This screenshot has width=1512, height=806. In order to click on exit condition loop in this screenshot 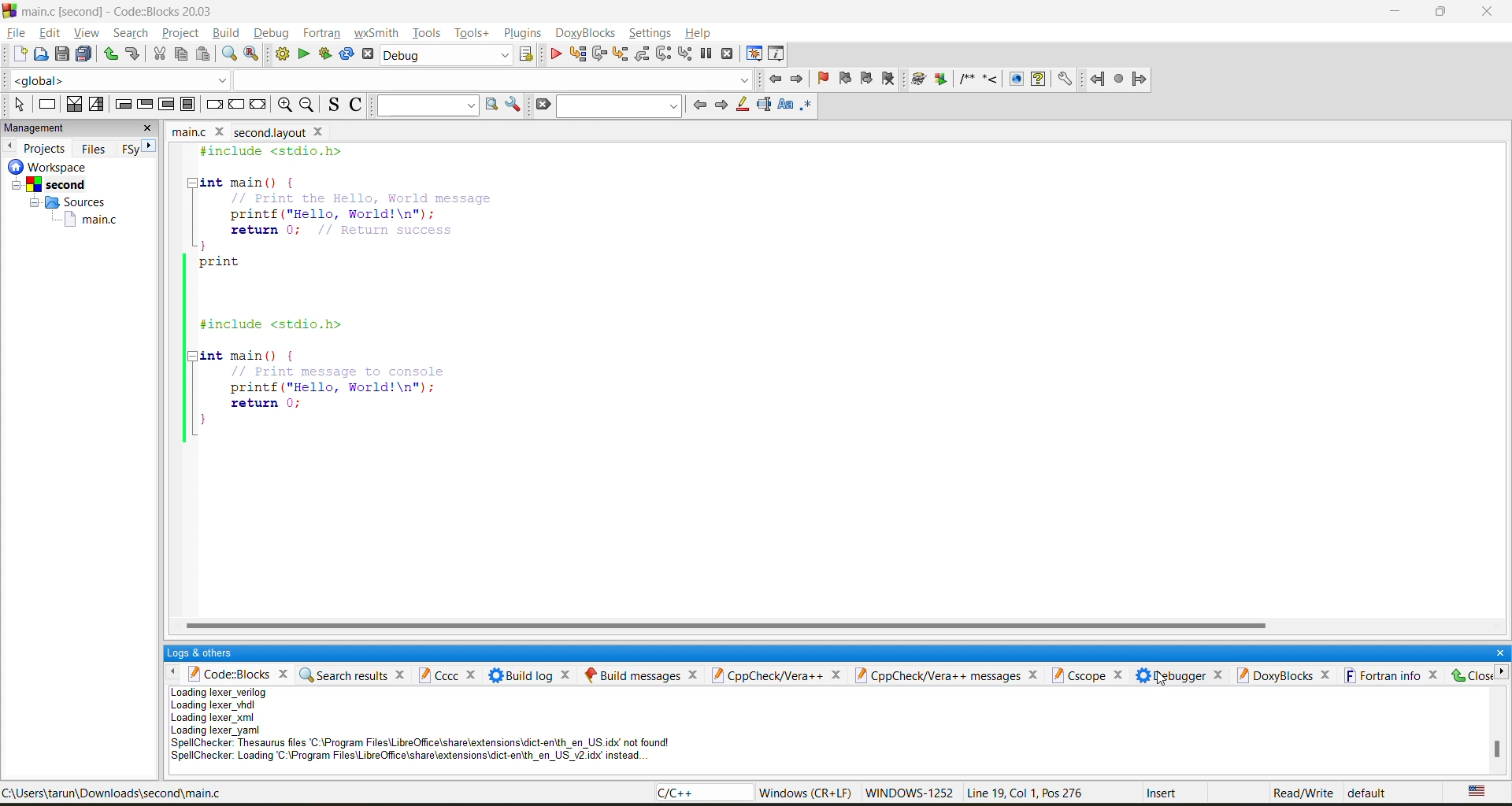, I will do `click(143, 105)`.